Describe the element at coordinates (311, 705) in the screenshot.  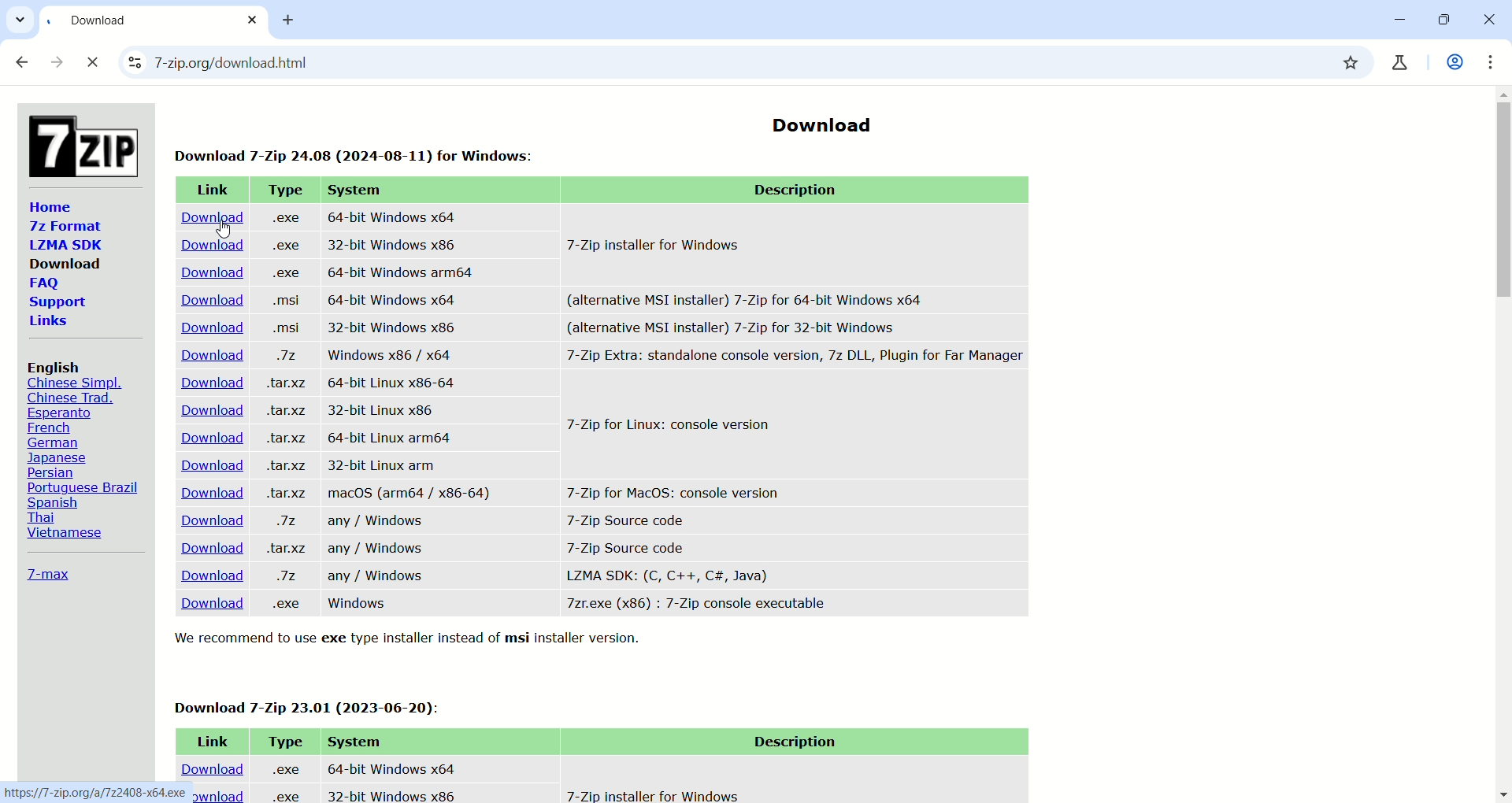
I see `Download 7-Zip 23.01 (2023-06-20):` at that location.